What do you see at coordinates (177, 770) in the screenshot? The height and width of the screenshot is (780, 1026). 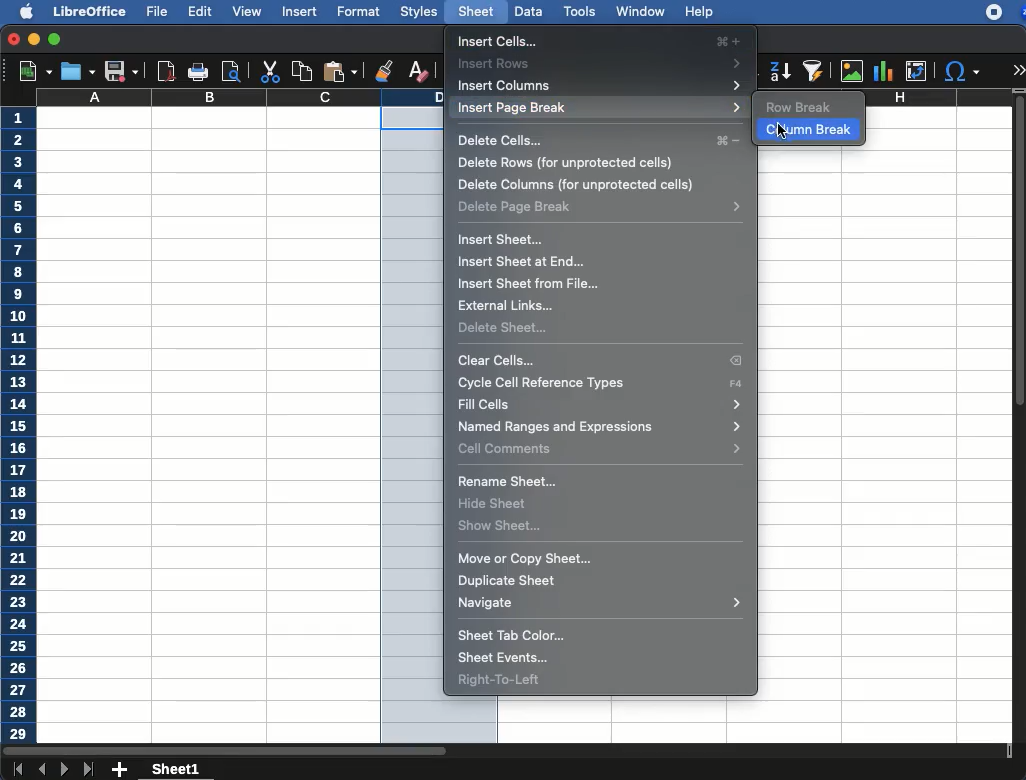 I see `sheet1` at bounding box center [177, 770].